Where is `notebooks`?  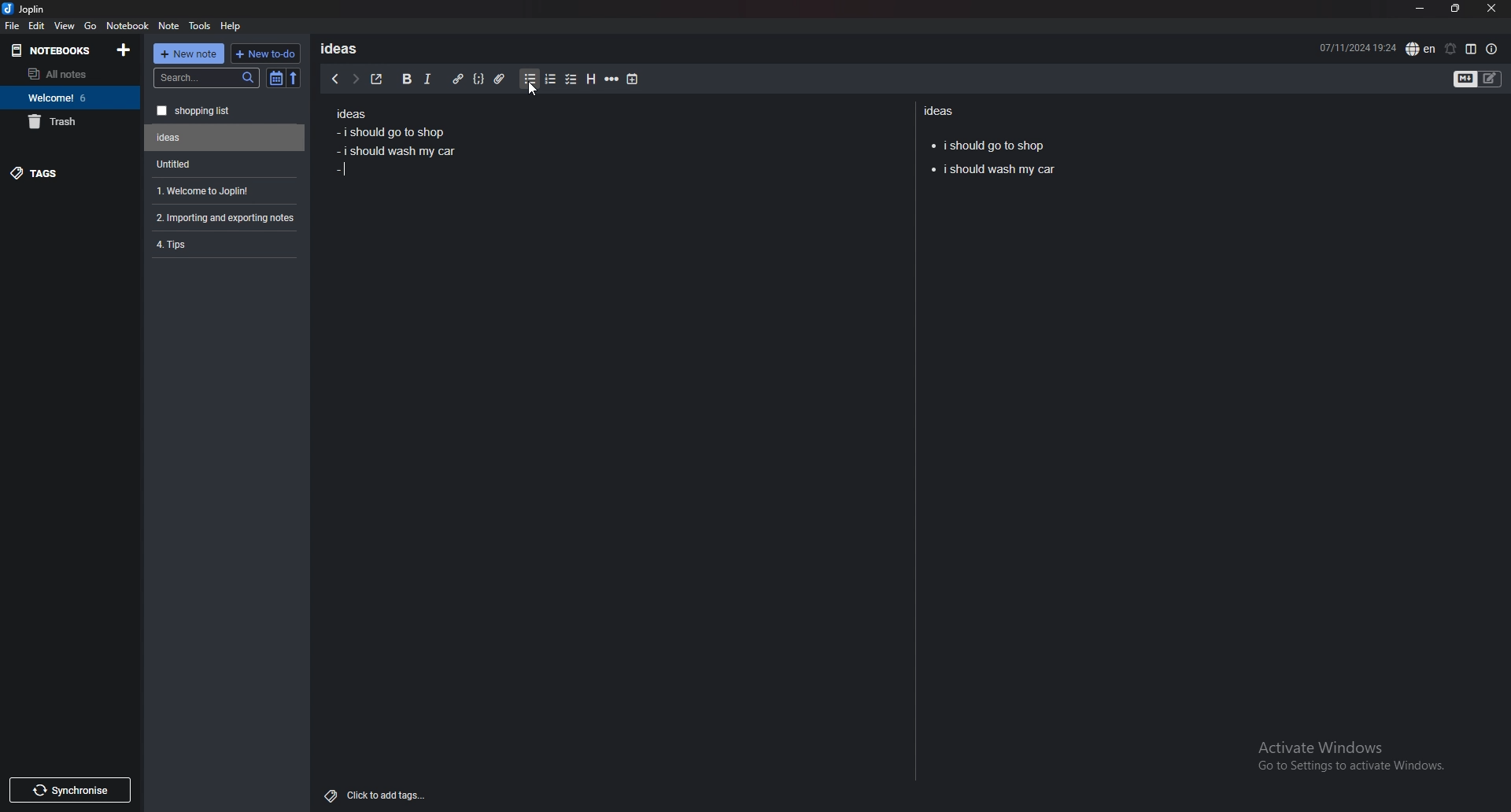 notebooks is located at coordinates (56, 50).